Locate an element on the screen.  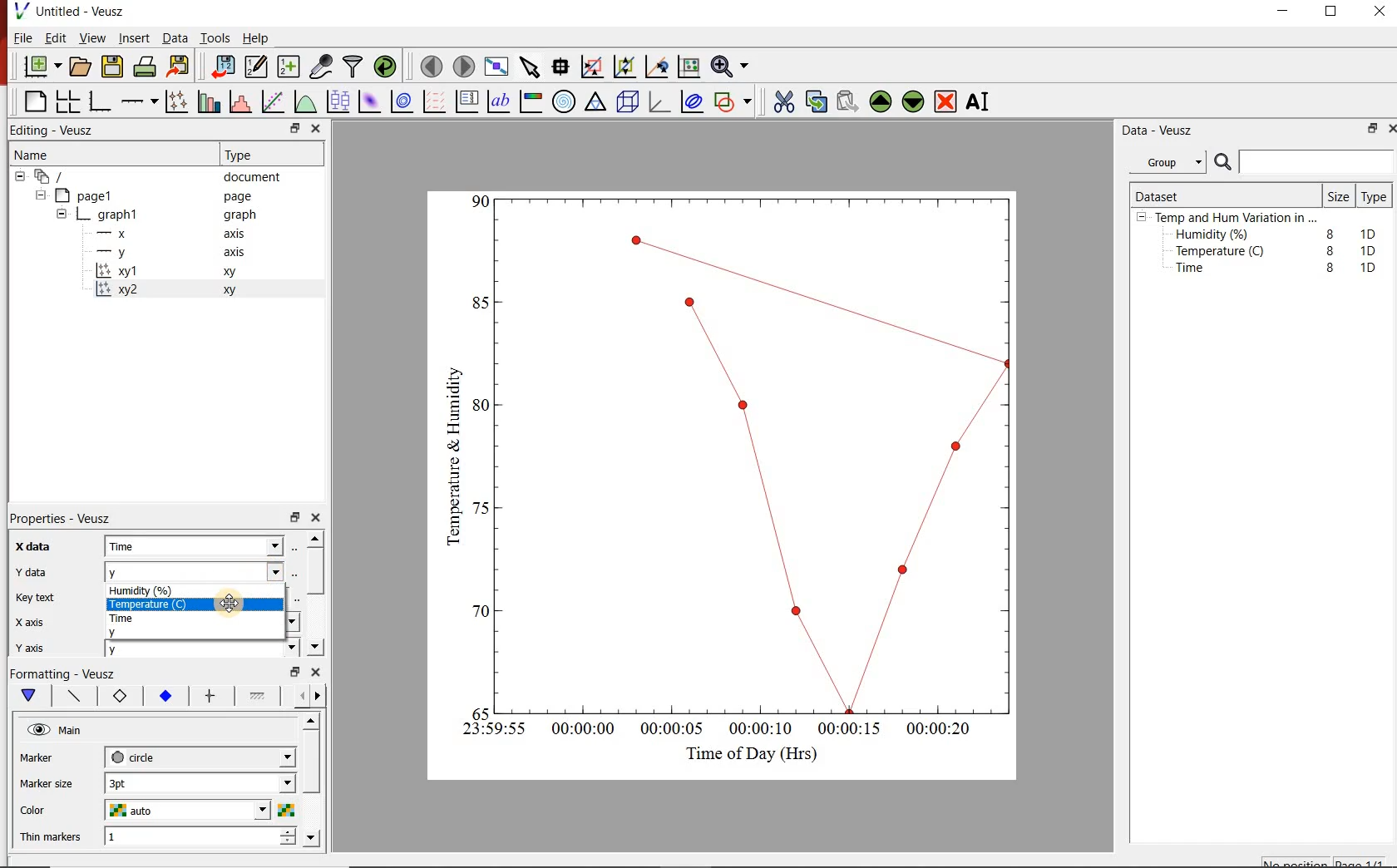
click to reset graph axes is located at coordinates (686, 67).